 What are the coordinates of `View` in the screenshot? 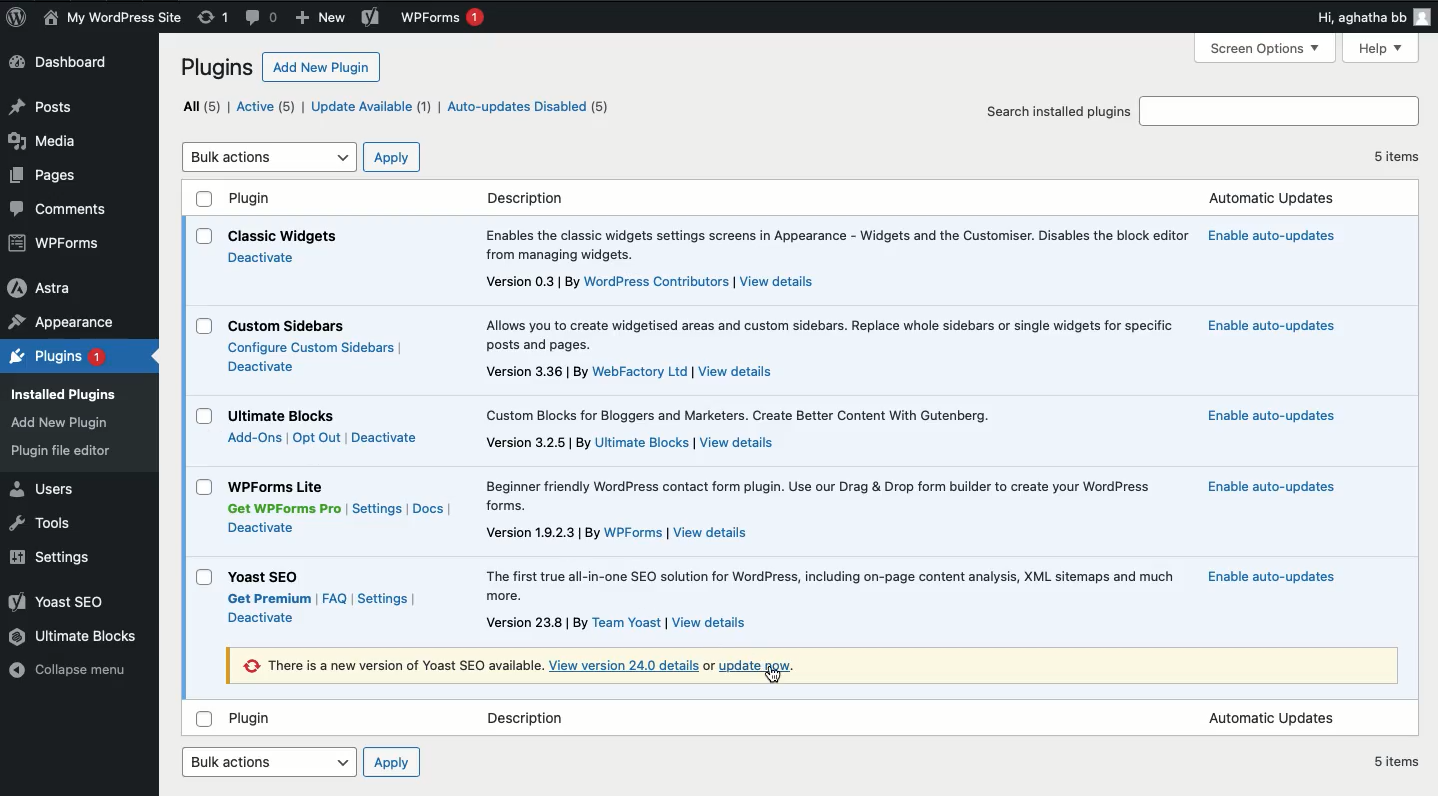 It's located at (626, 665).